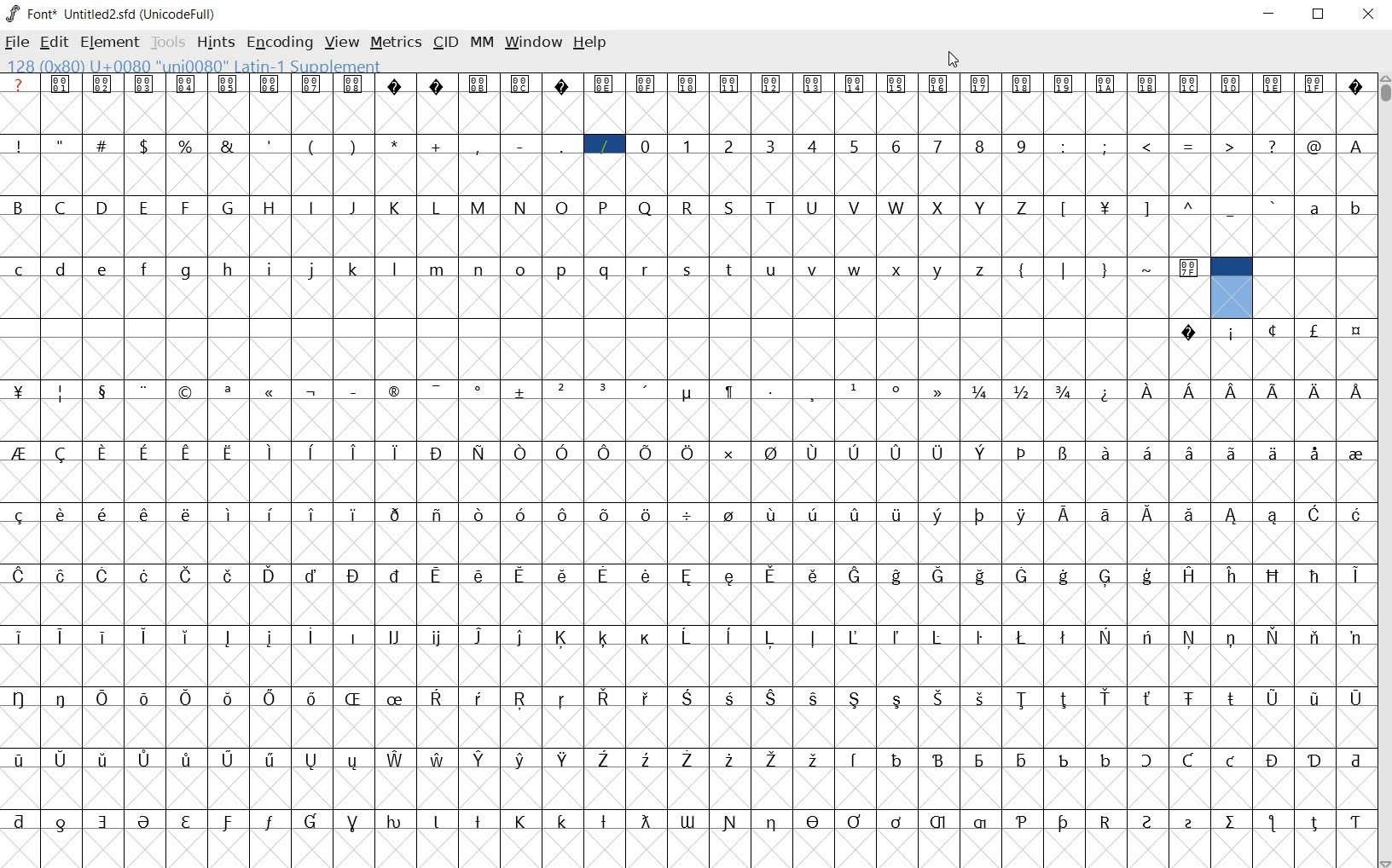 This screenshot has height=868, width=1392. Describe the element at coordinates (1064, 575) in the screenshot. I see `Symbol` at that location.